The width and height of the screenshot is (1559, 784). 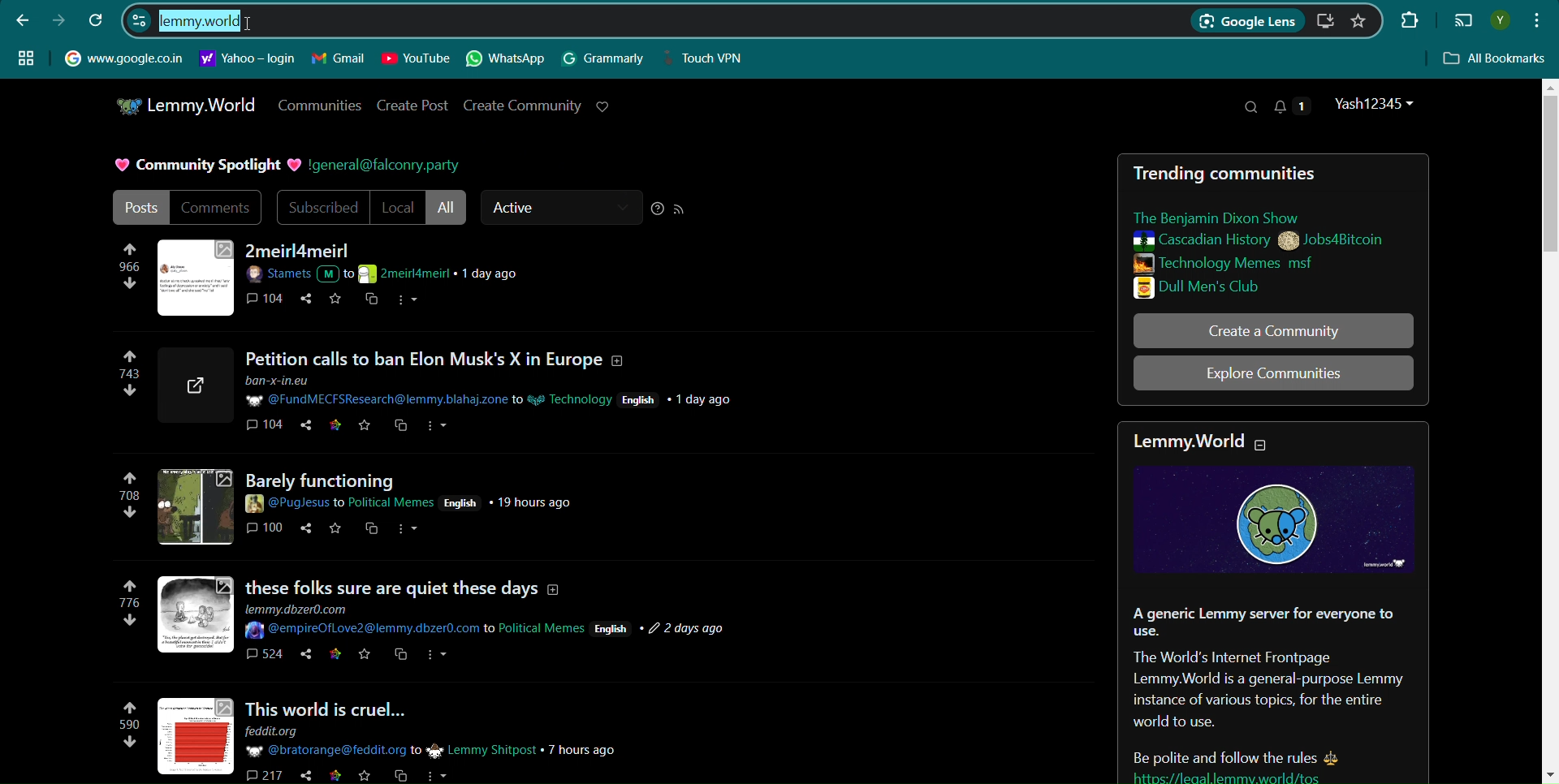 I want to click on Gmail, so click(x=339, y=58).